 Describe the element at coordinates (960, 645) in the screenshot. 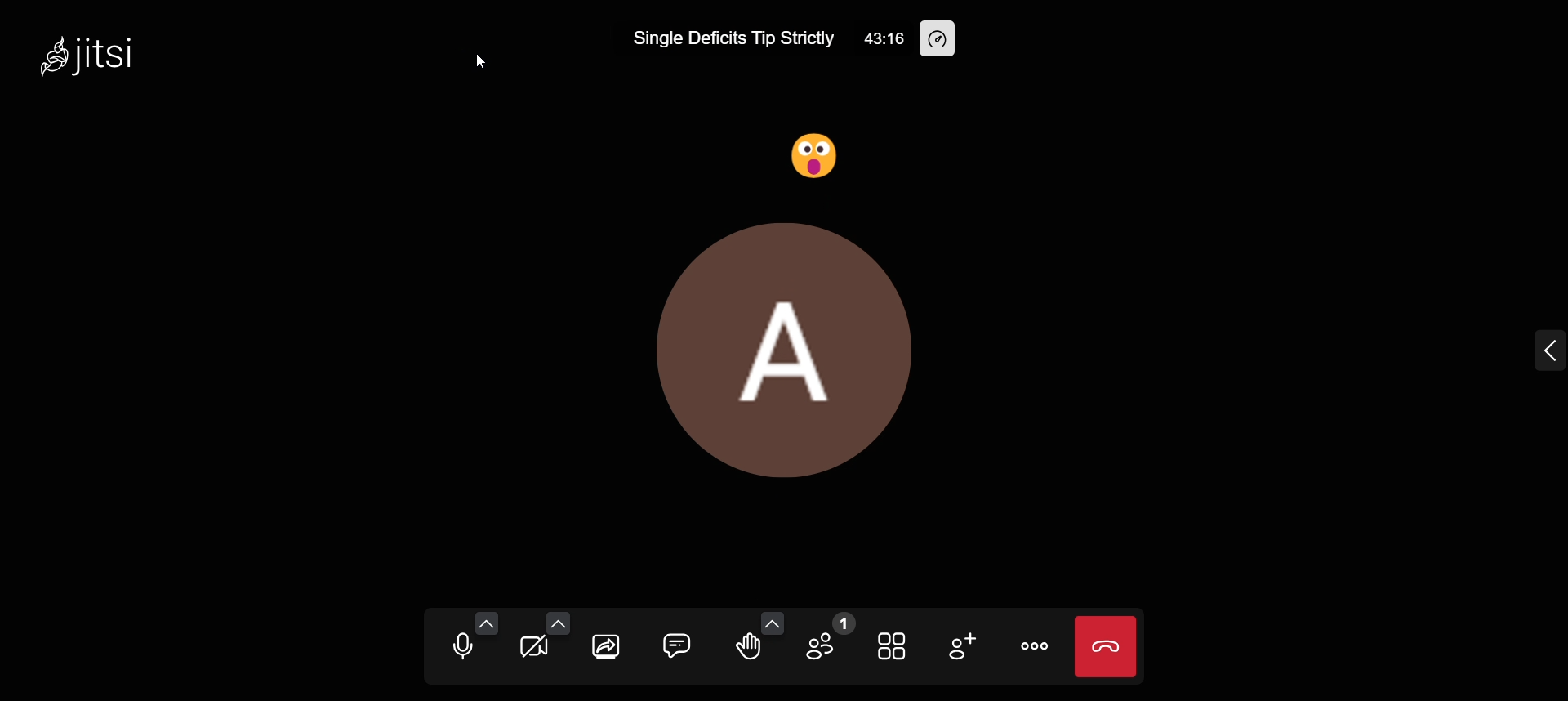

I see `invite people` at that location.